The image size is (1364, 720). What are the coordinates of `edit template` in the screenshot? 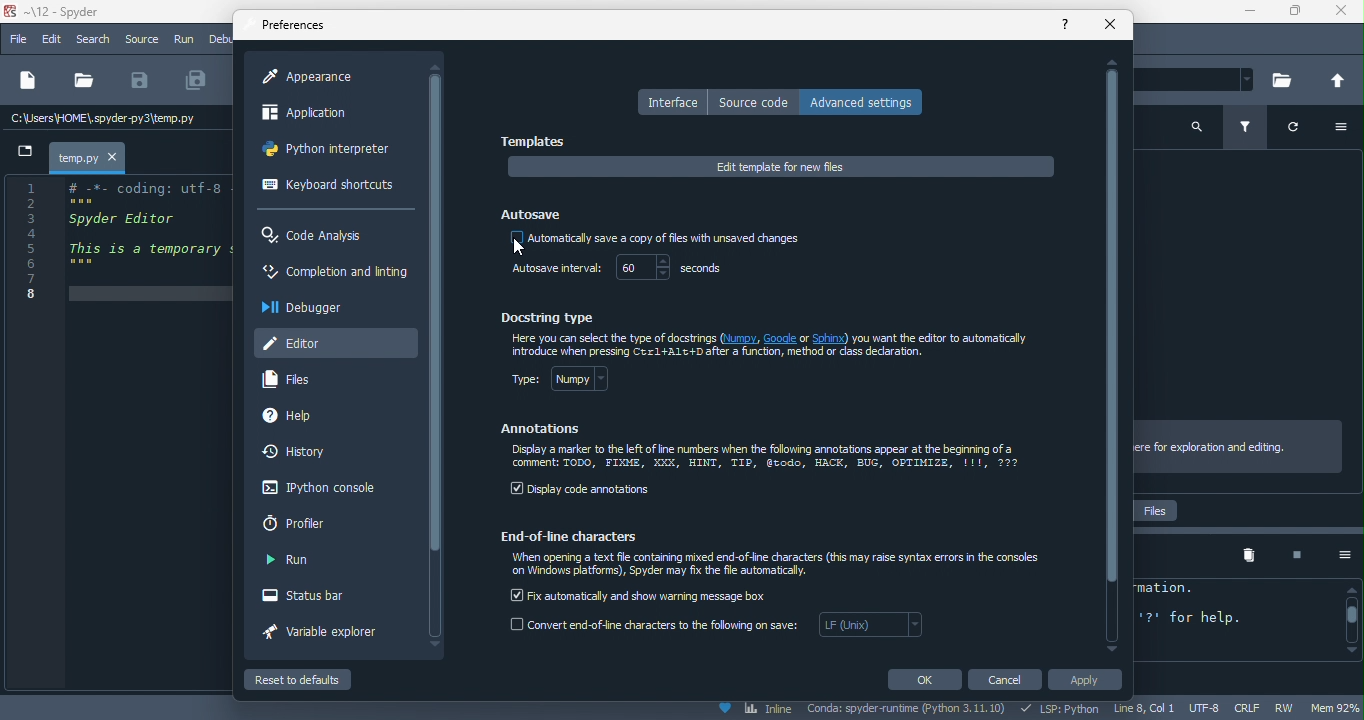 It's located at (781, 167).